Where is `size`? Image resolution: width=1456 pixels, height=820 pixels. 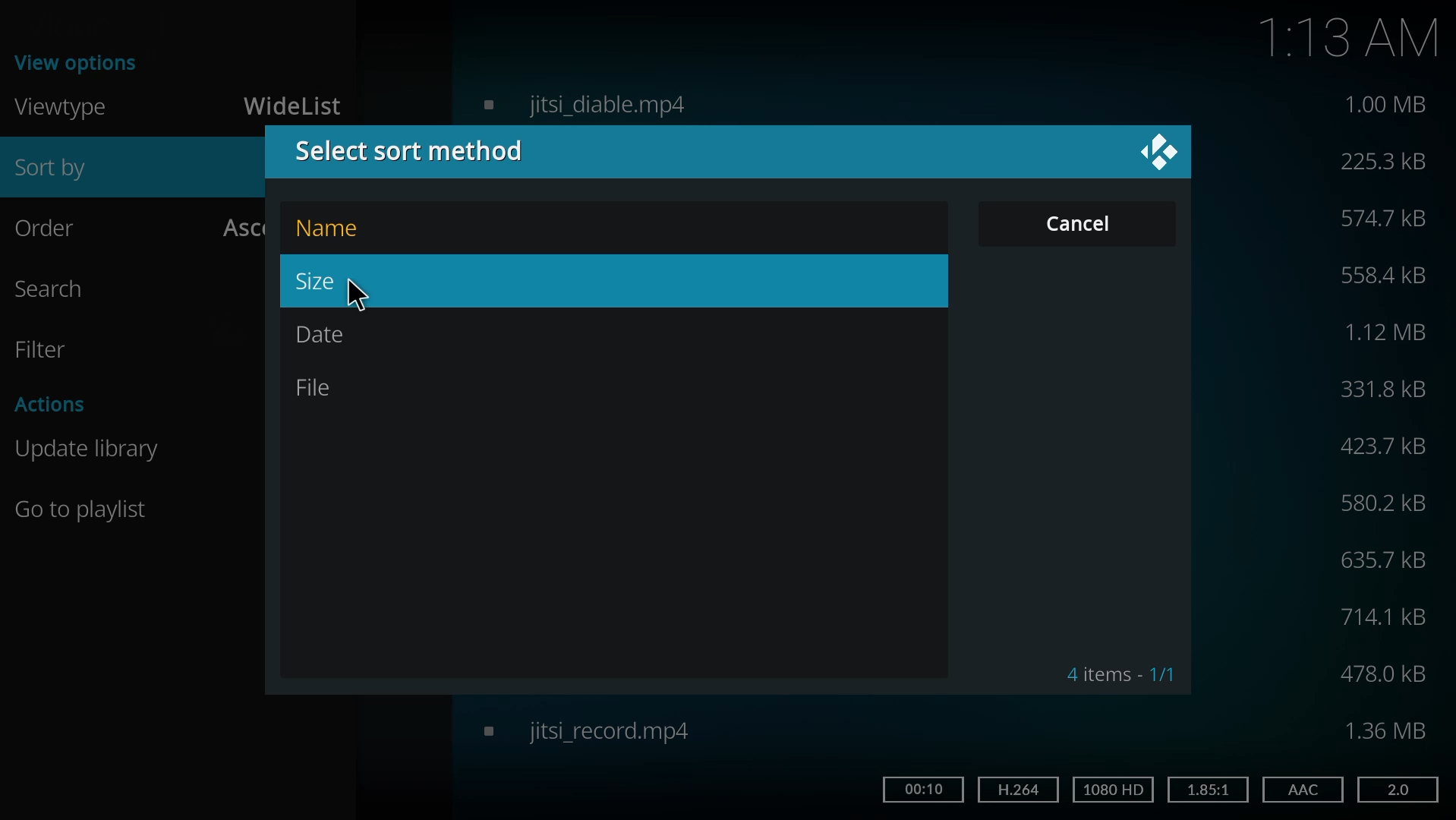 size is located at coordinates (613, 282).